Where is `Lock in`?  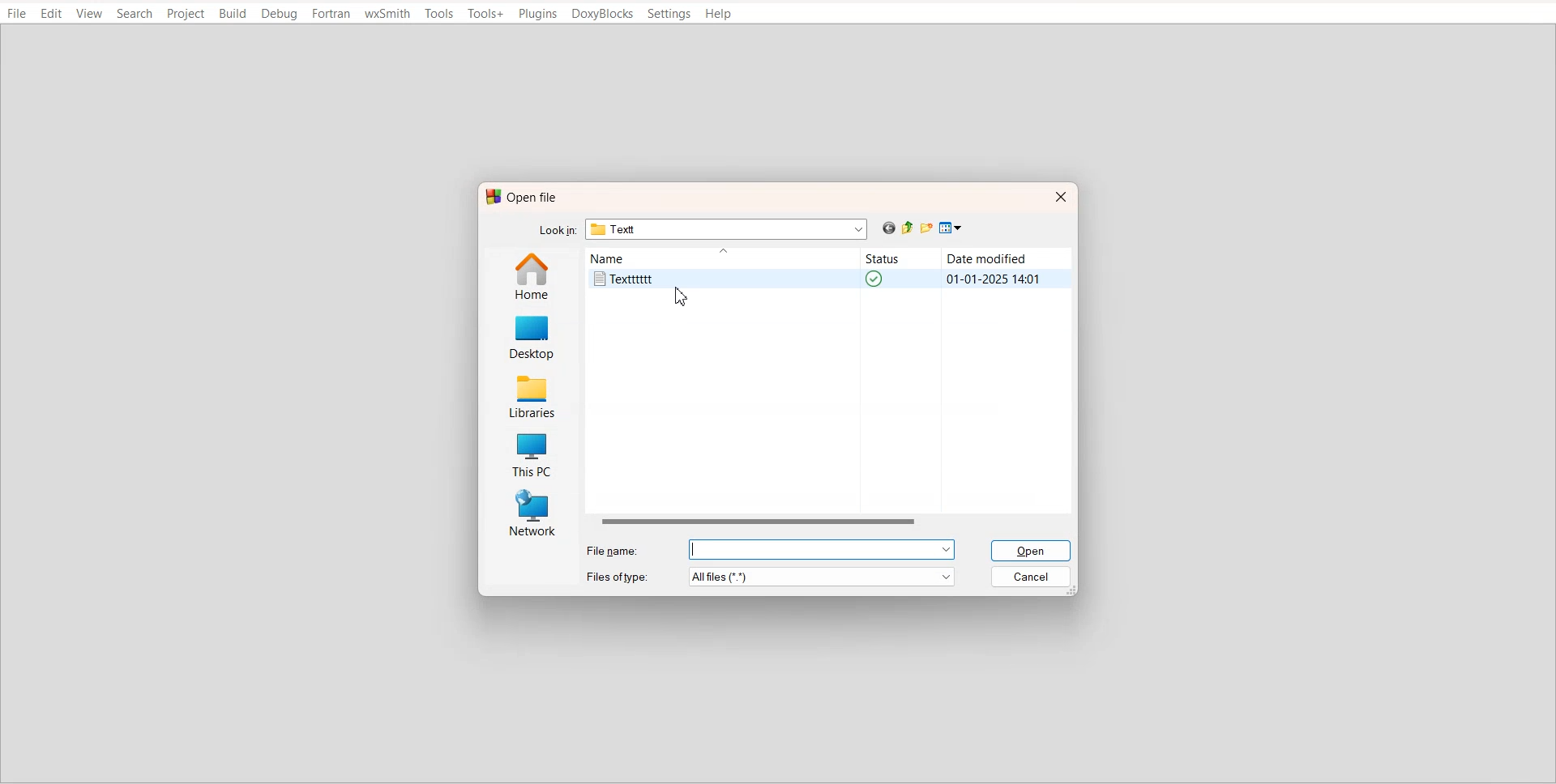 Lock in is located at coordinates (703, 229).